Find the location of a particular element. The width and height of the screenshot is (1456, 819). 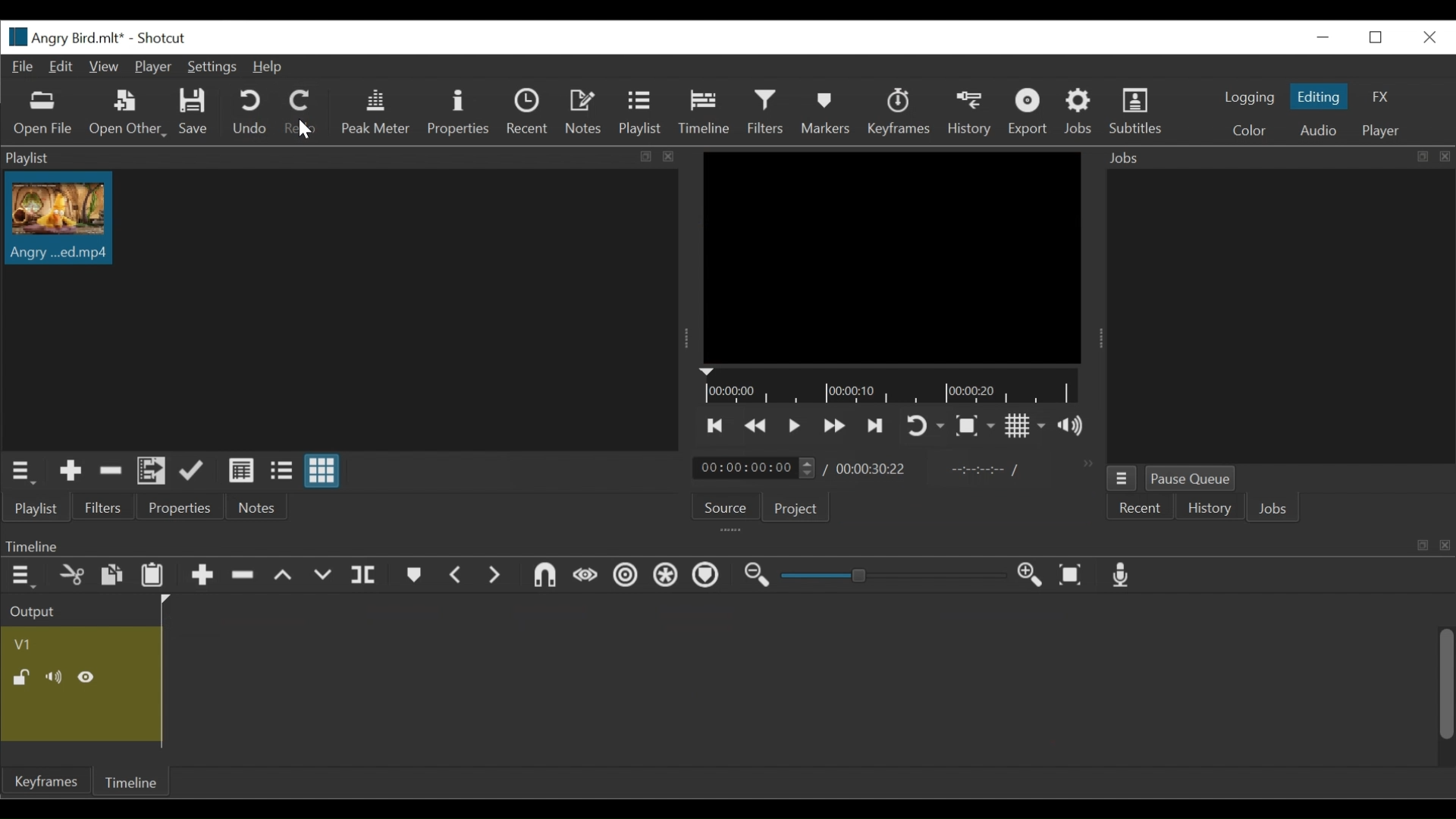

Save is located at coordinates (194, 112).